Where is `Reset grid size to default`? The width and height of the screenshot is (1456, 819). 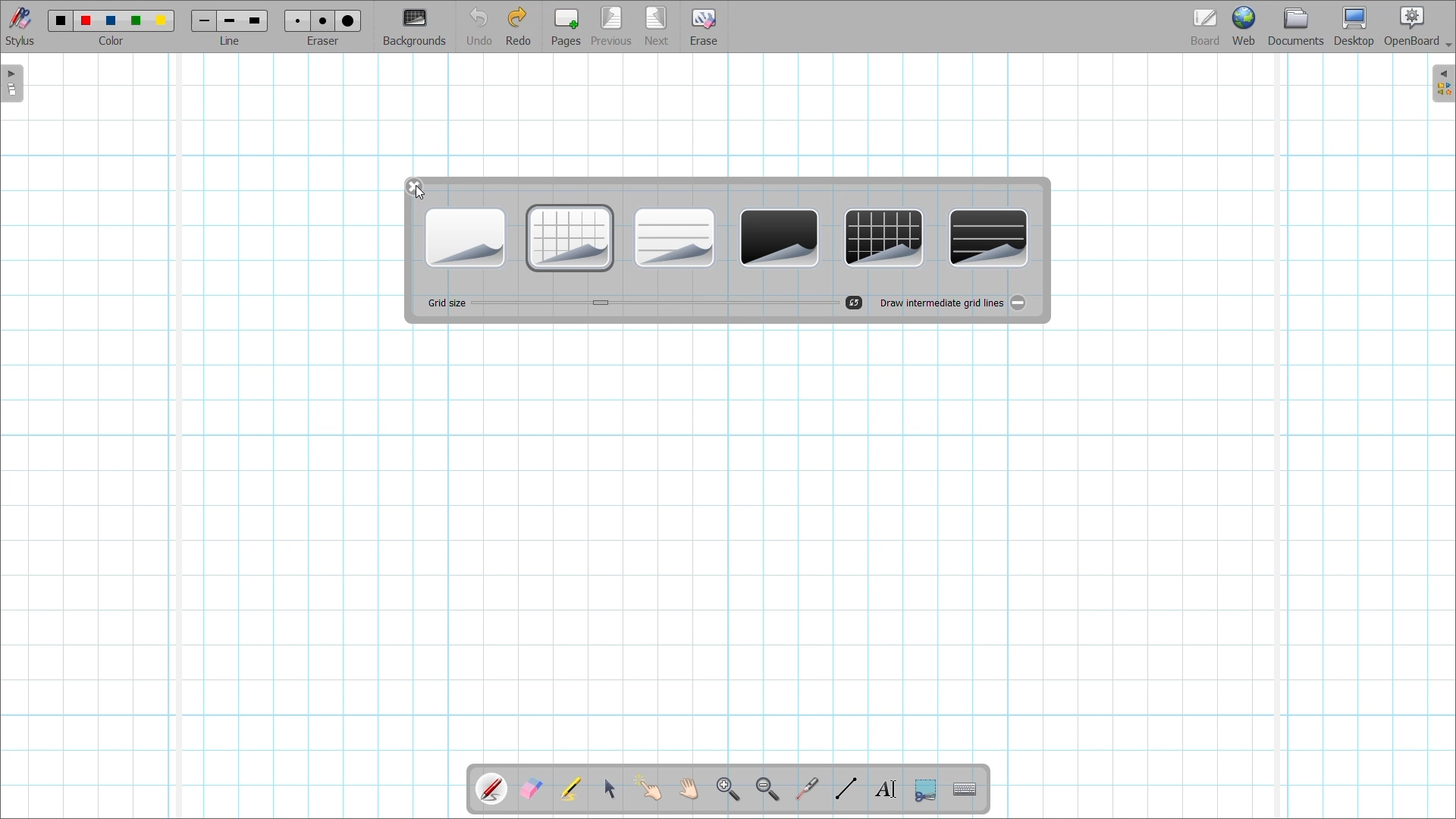
Reset grid size to default is located at coordinates (854, 303).